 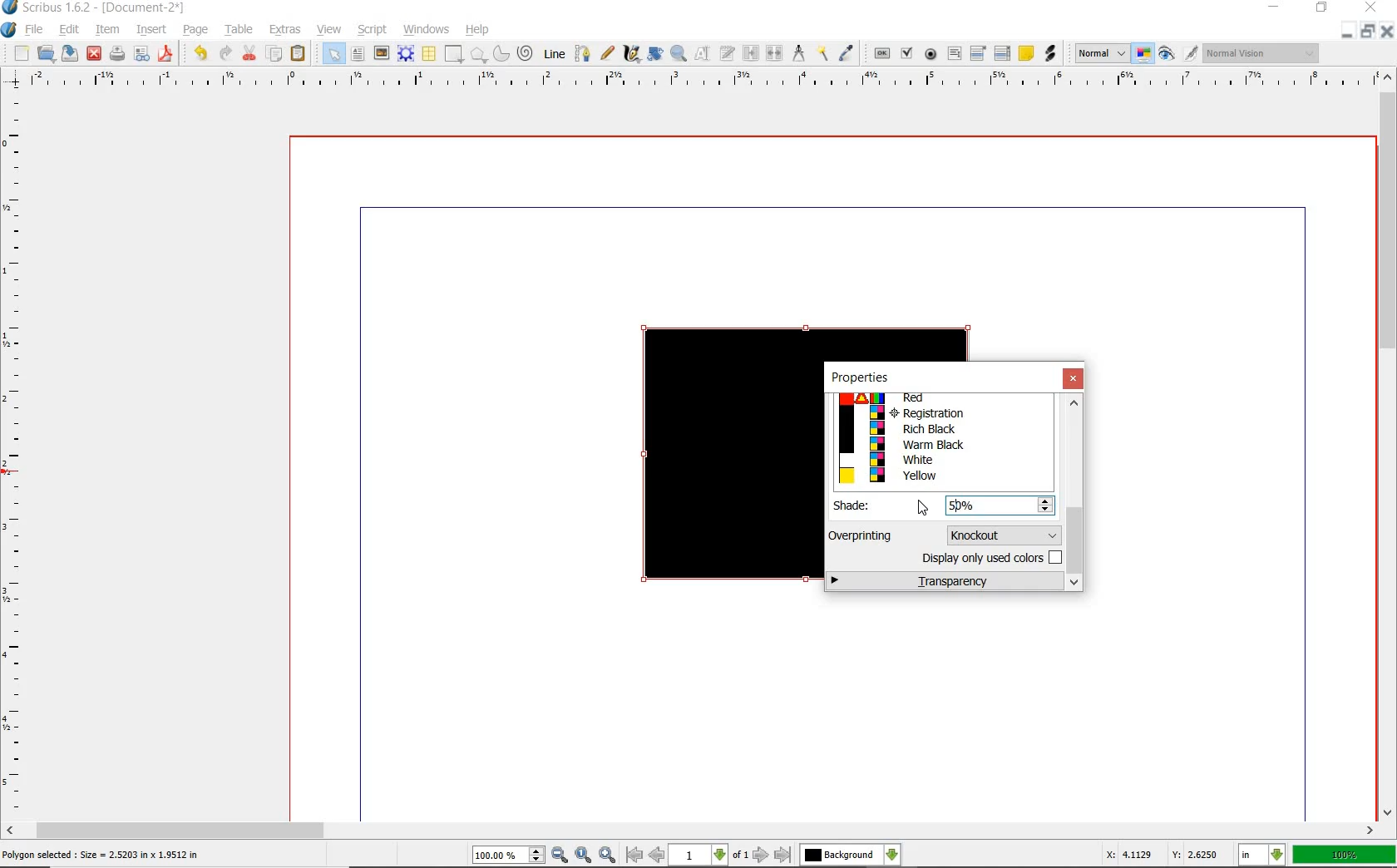 I want to click on table, so click(x=429, y=53).